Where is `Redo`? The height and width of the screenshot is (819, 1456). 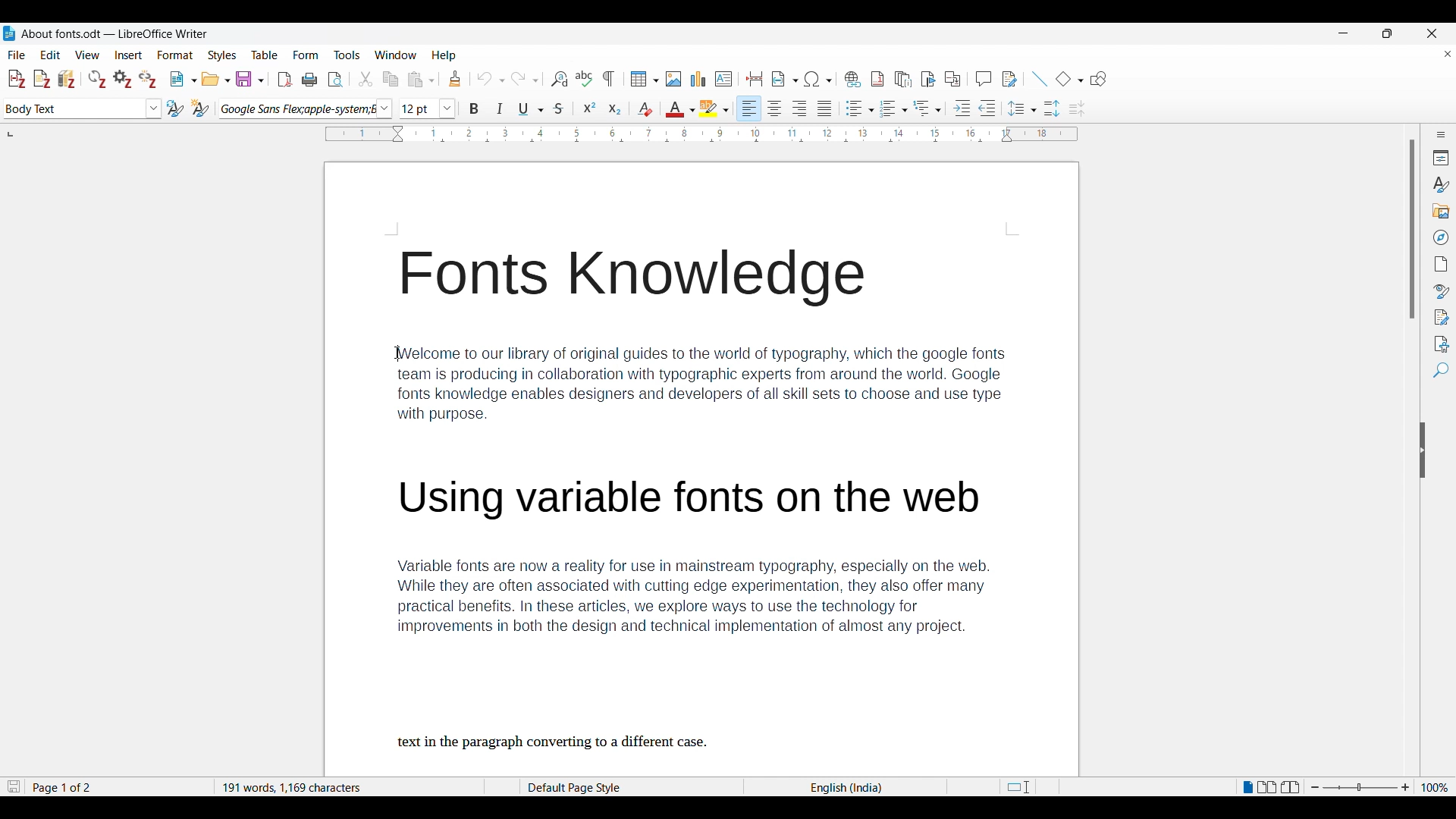 Redo is located at coordinates (525, 79).